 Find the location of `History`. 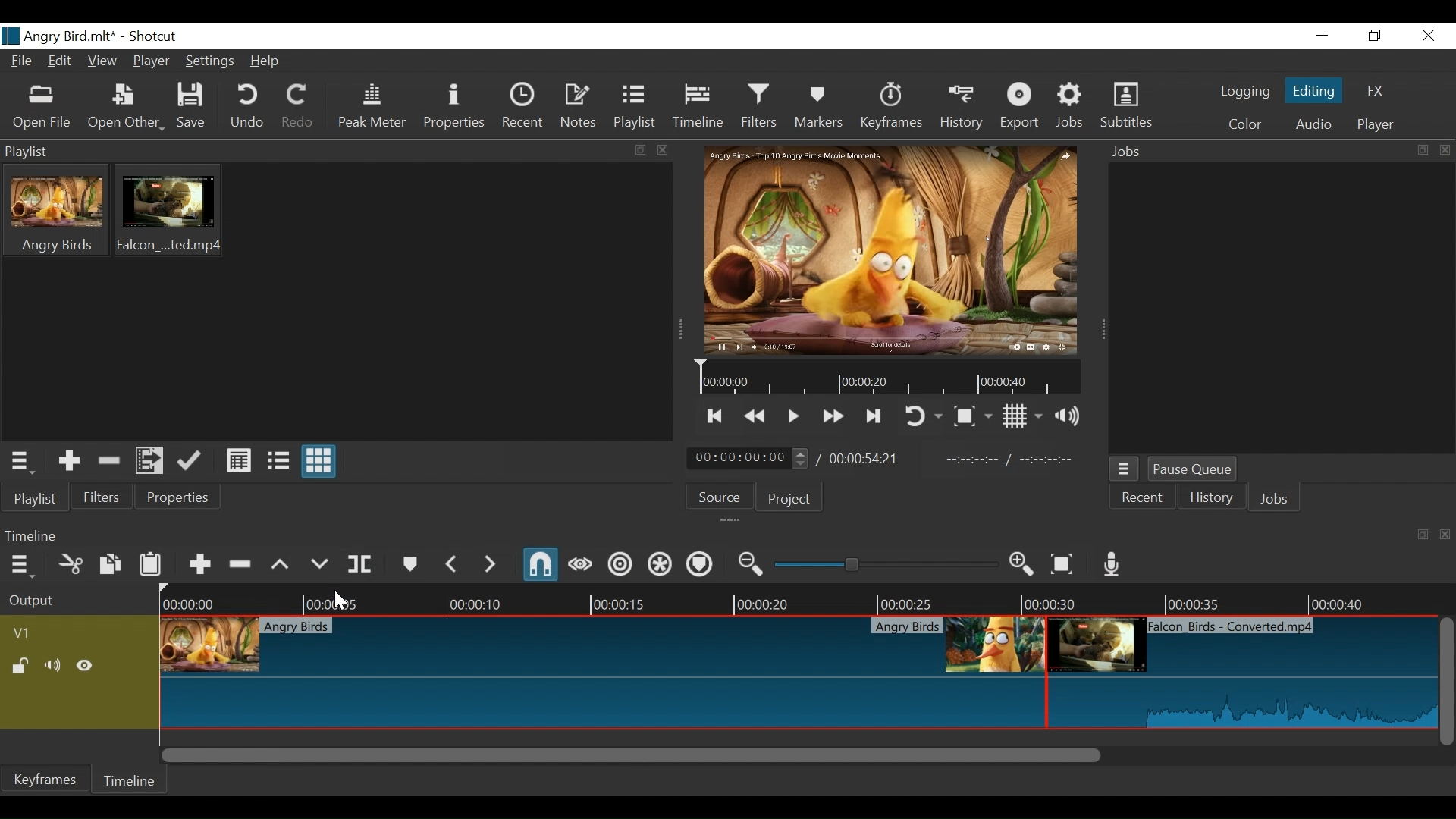

History is located at coordinates (1213, 497).